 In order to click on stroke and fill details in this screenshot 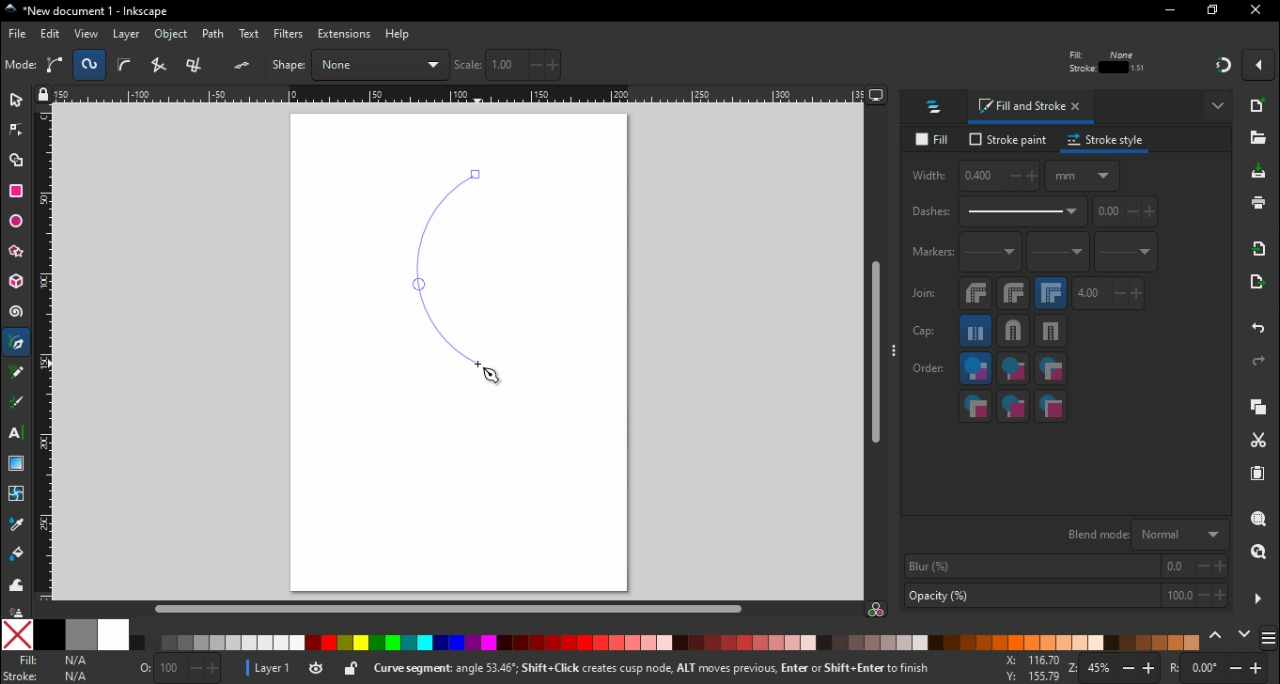, I will do `click(1106, 61)`.